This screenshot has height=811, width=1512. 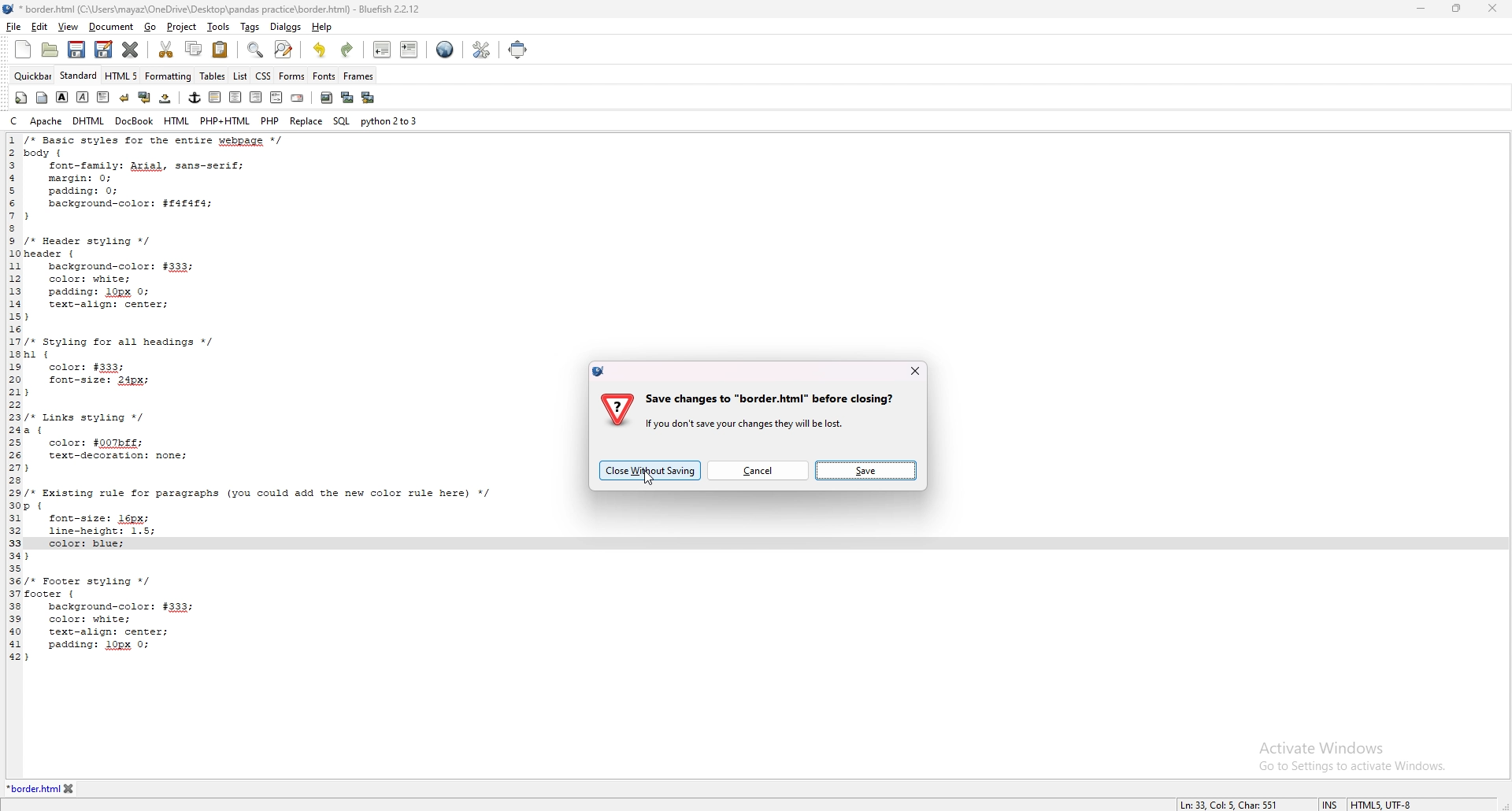 I want to click on email, so click(x=297, y=98).